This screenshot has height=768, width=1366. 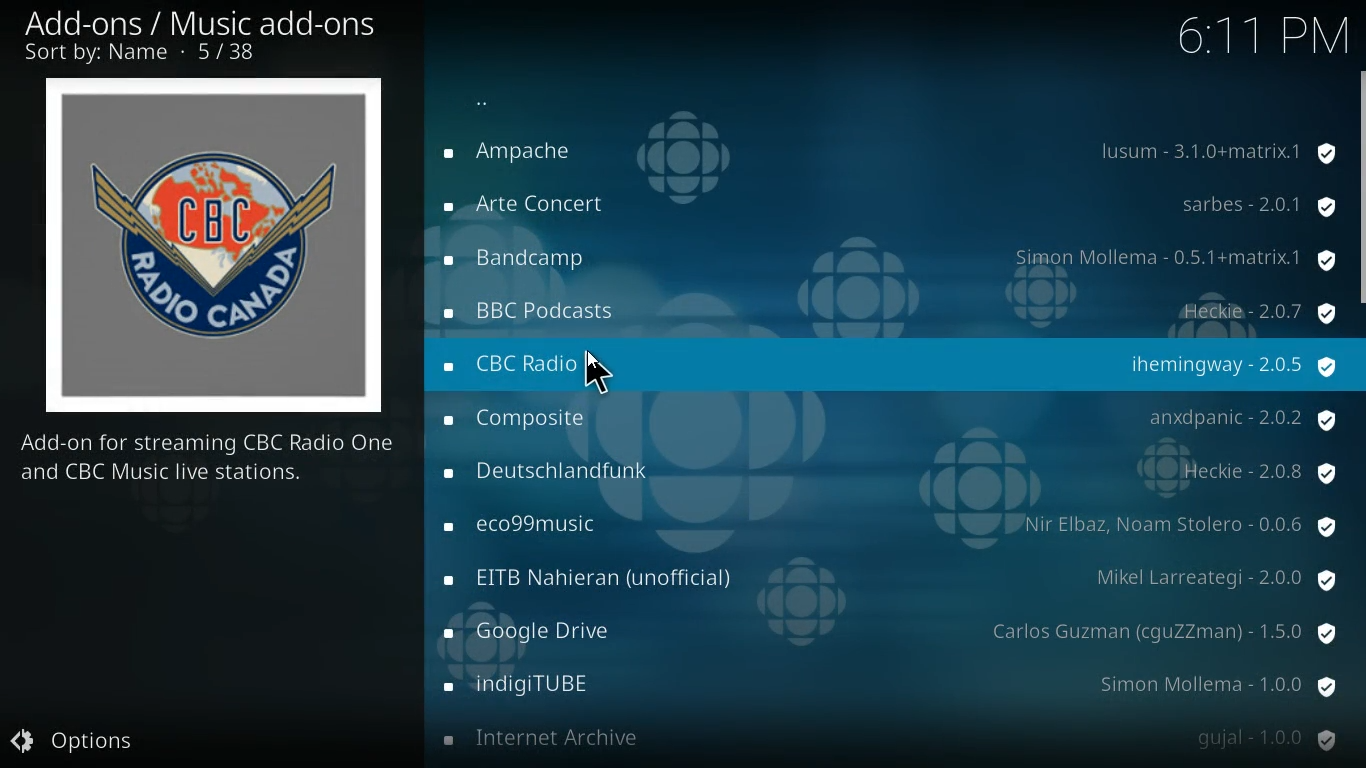 I want to click on radio name, so click(x=530, y=423).